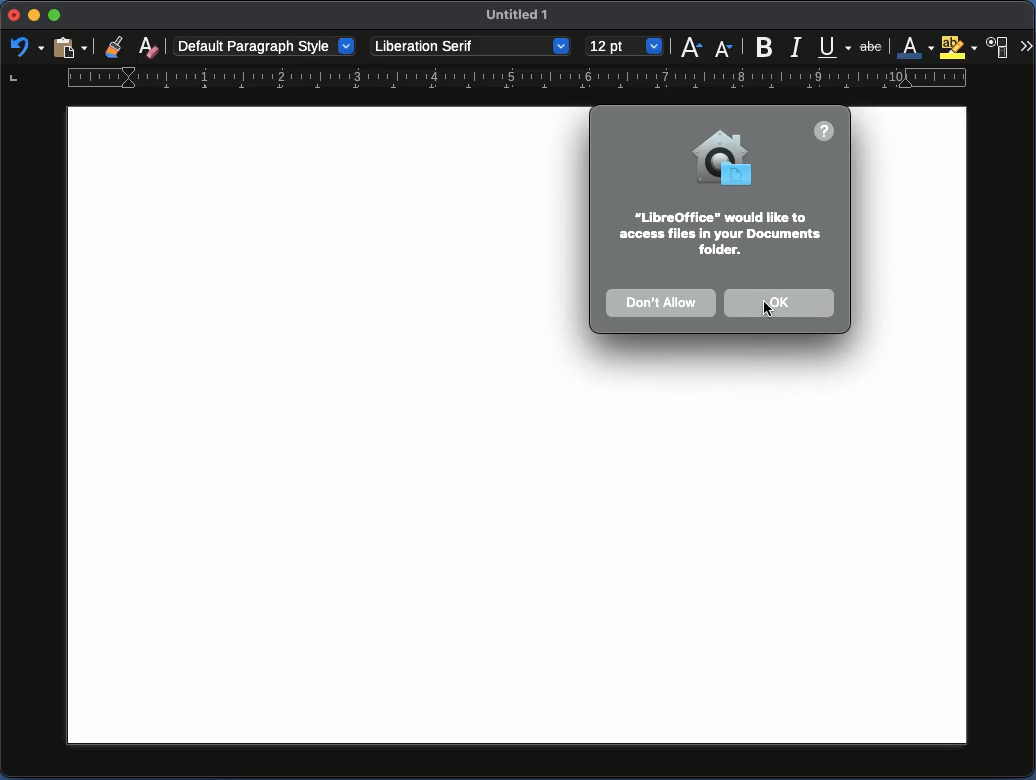 The width and height of the screenshot is (1036, 780). Describe the element at coordinates (35, 18) in the screenshot. I see `Minimize` at that location.